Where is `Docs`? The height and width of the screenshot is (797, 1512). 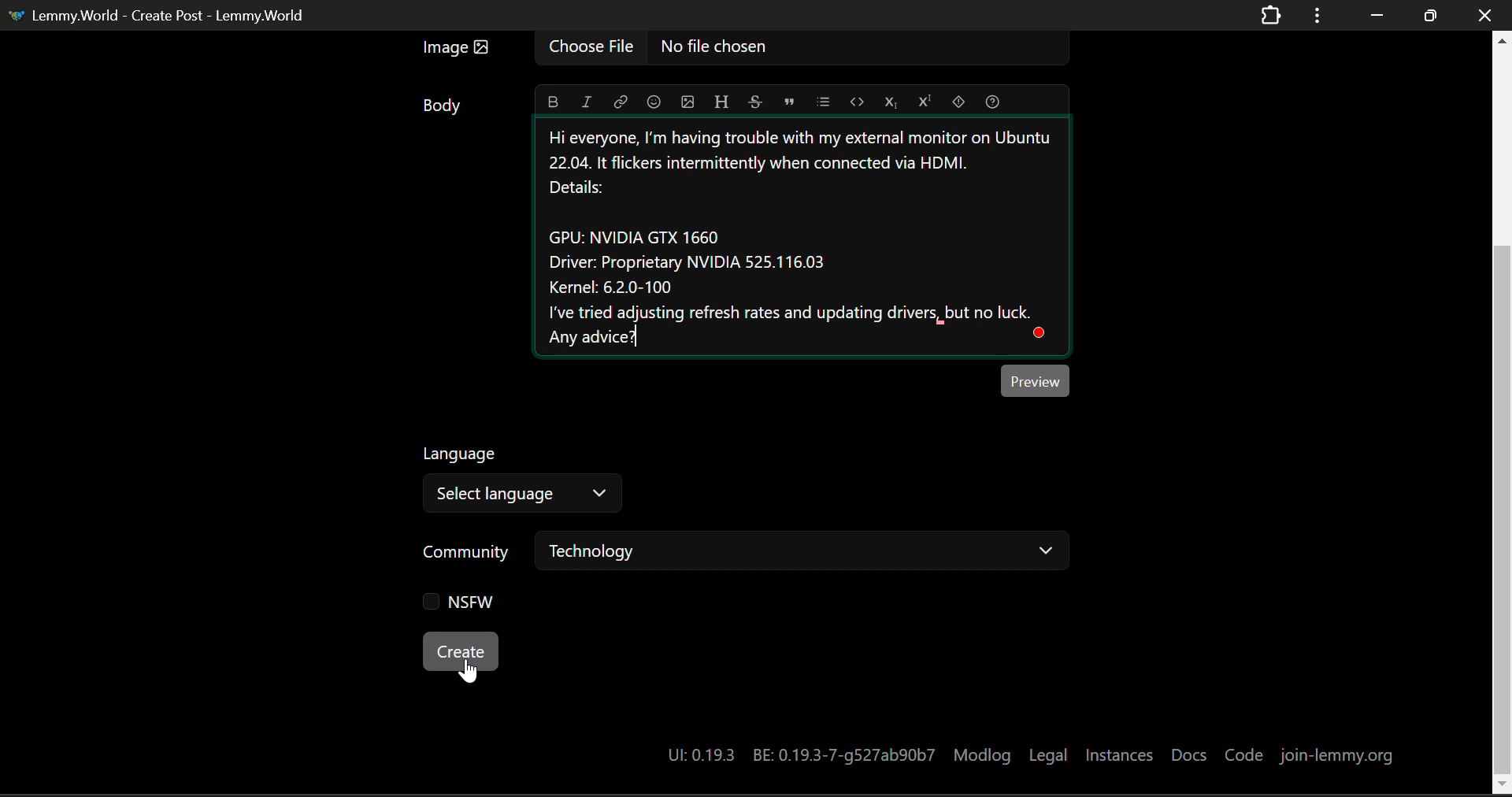 Docs is located at coordinates (1190, 752).